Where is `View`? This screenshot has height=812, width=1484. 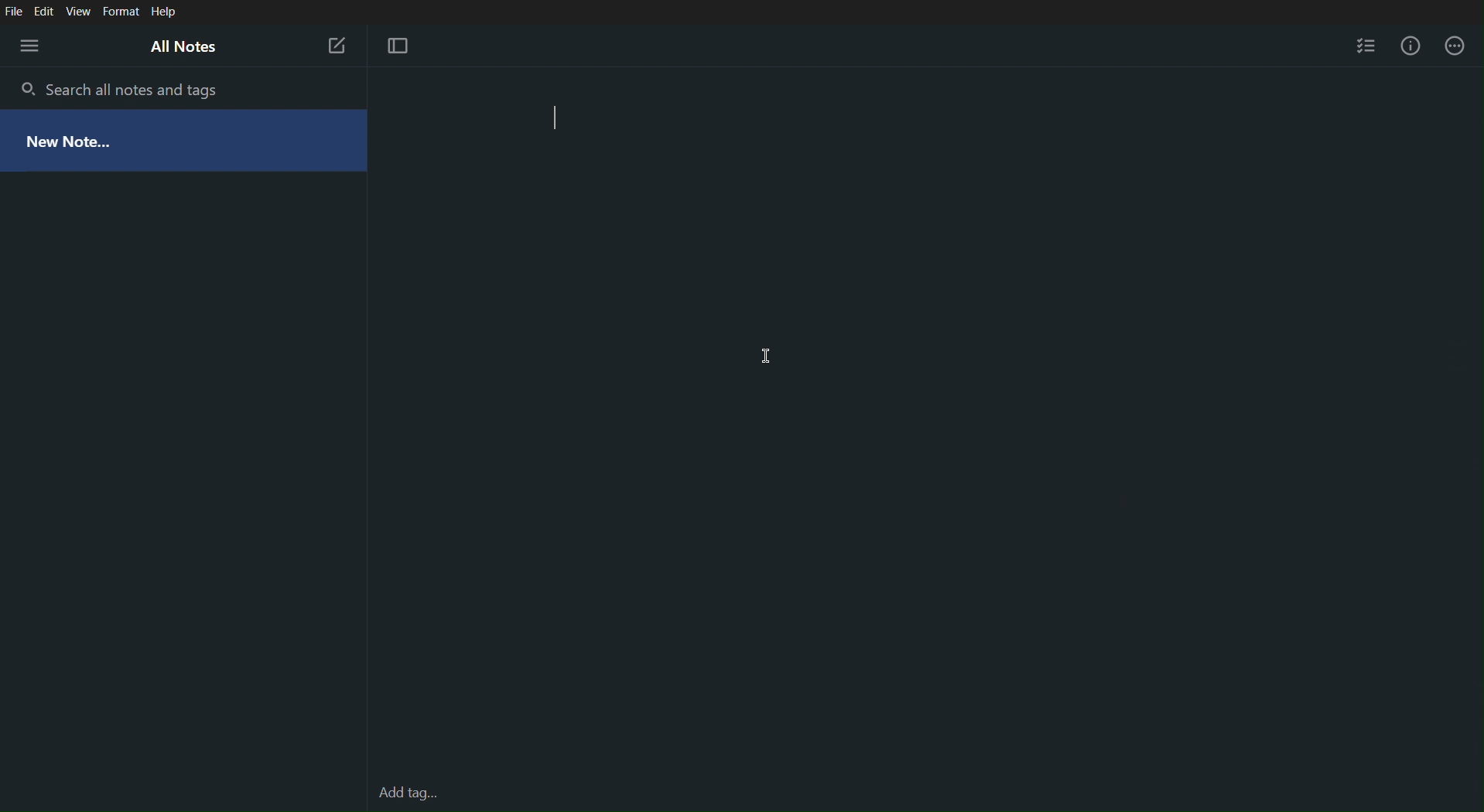
View is located at coordinates (80, 12).